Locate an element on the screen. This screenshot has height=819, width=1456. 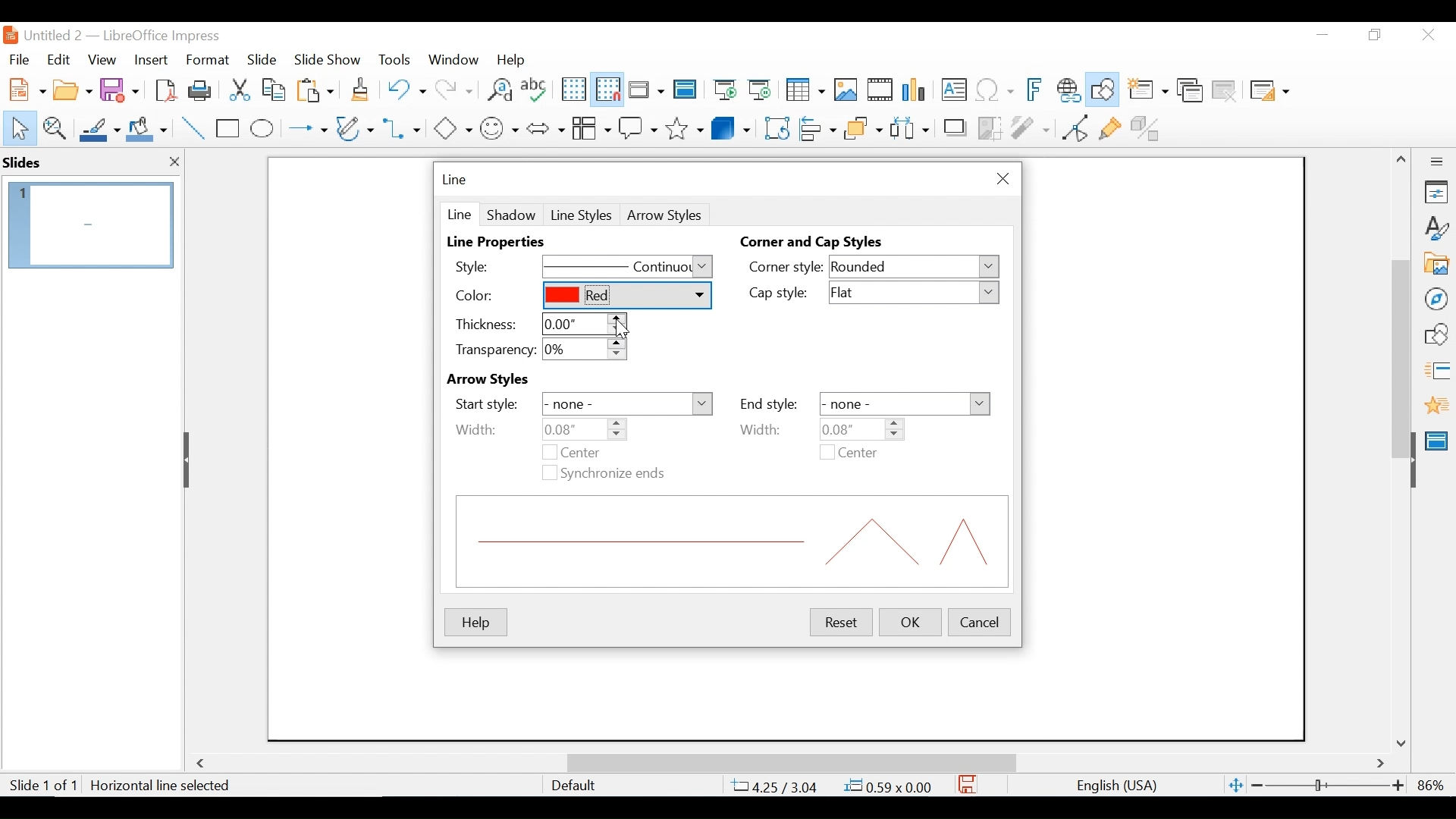
Insert is located at coordinates (149, 60).